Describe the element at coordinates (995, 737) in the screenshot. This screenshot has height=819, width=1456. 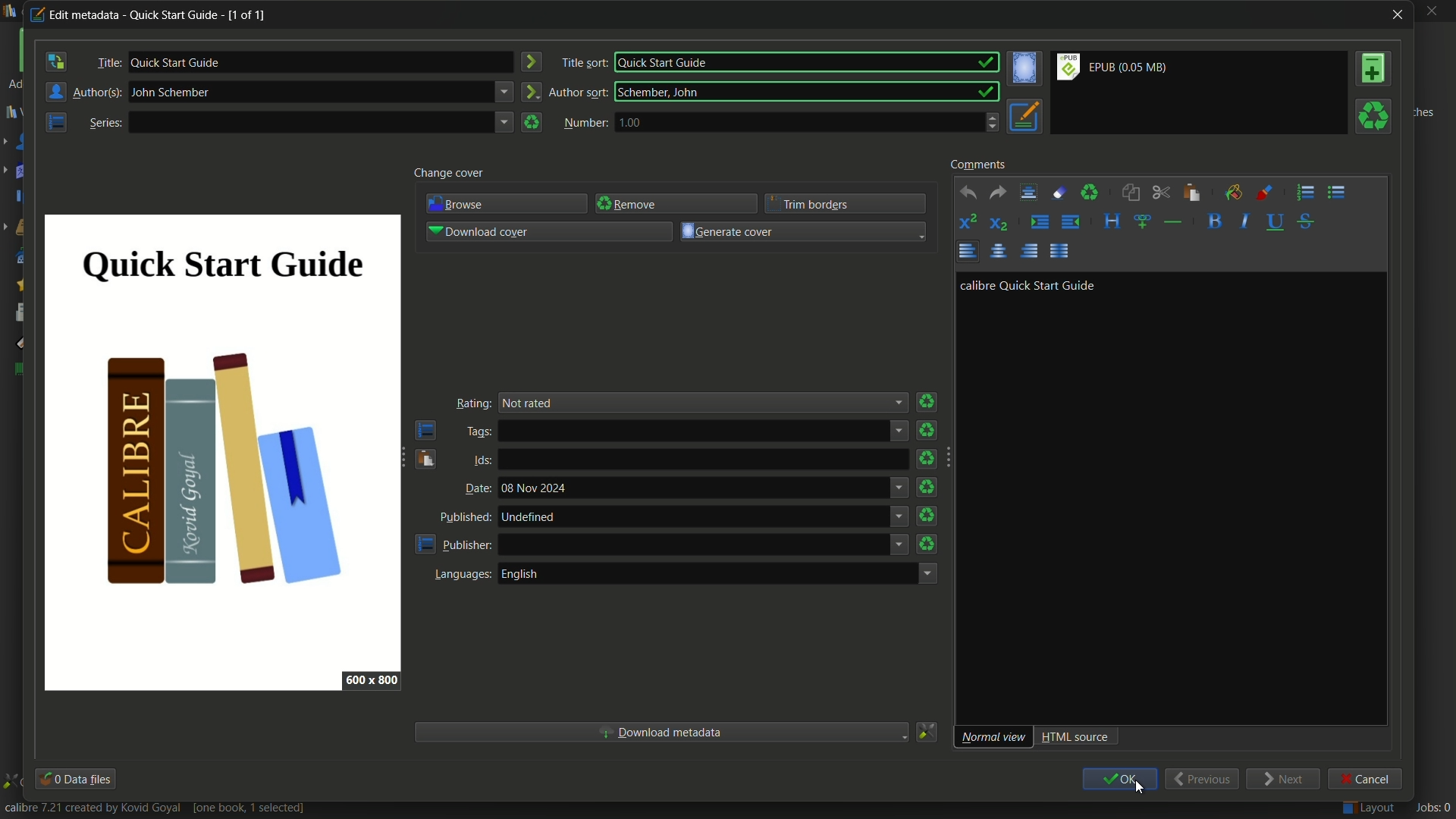
I see `normal view` at that location.